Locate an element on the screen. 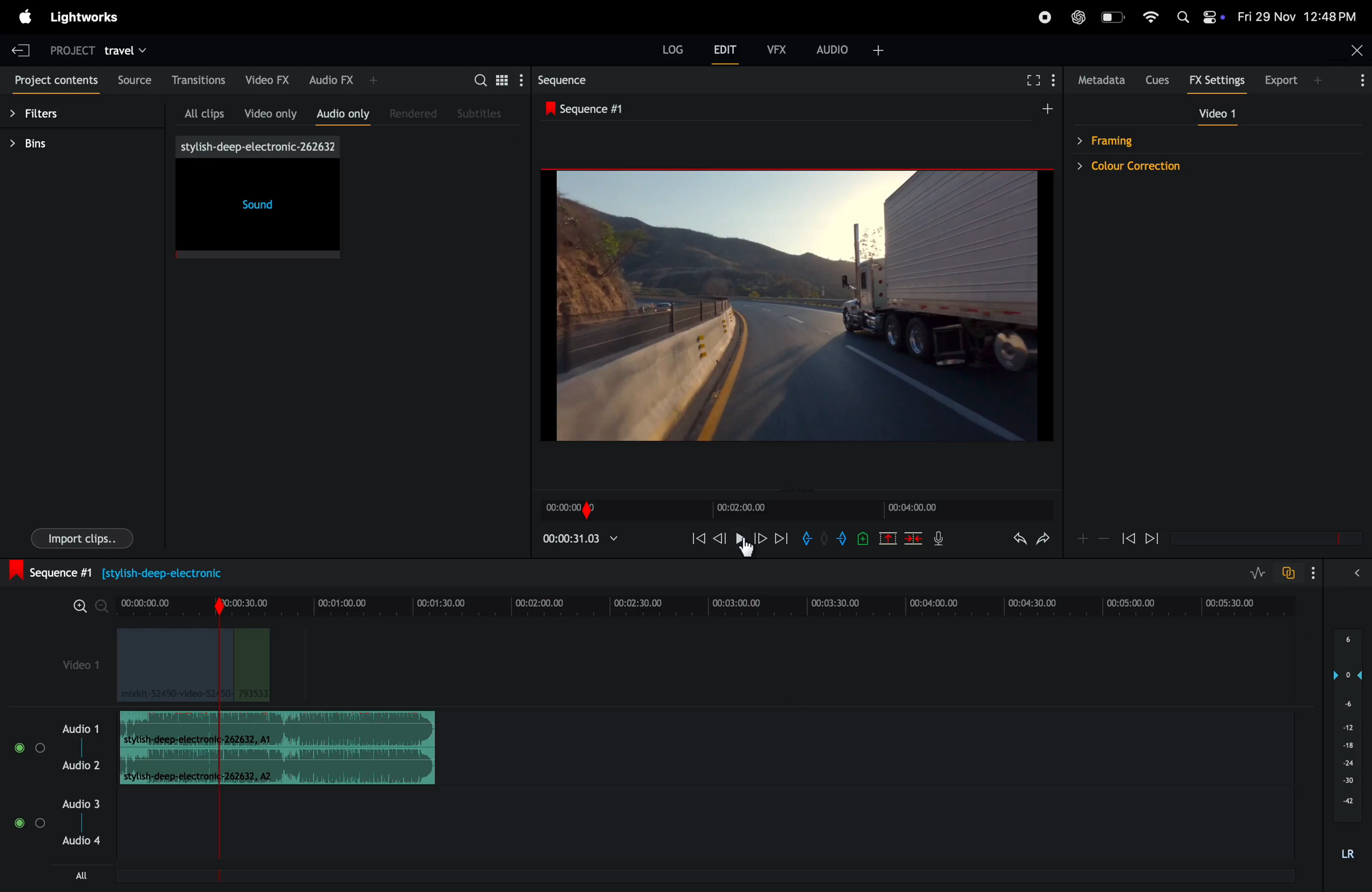 Image resolution: width=1372 pixels, height=892 pixels. vfx is located at coordinates (775, 48).